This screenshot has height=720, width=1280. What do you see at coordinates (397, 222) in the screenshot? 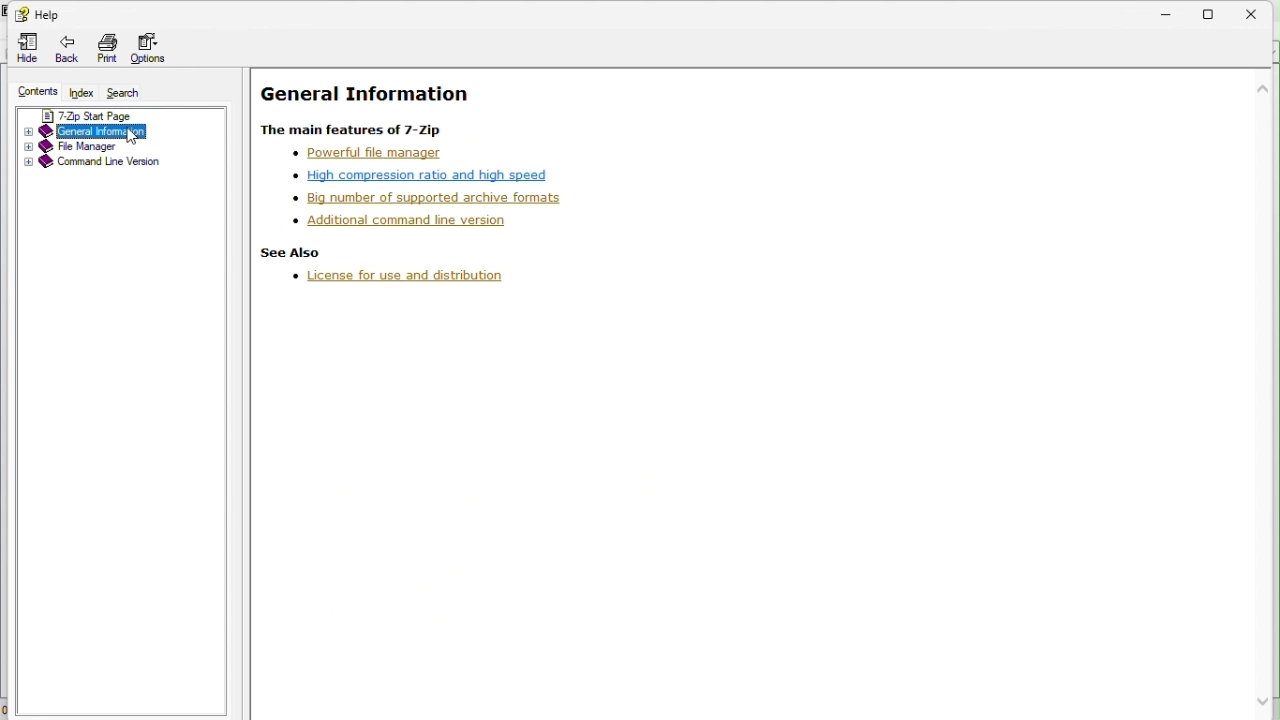
I see `Additional command line version` at bounding box center [397, 222].